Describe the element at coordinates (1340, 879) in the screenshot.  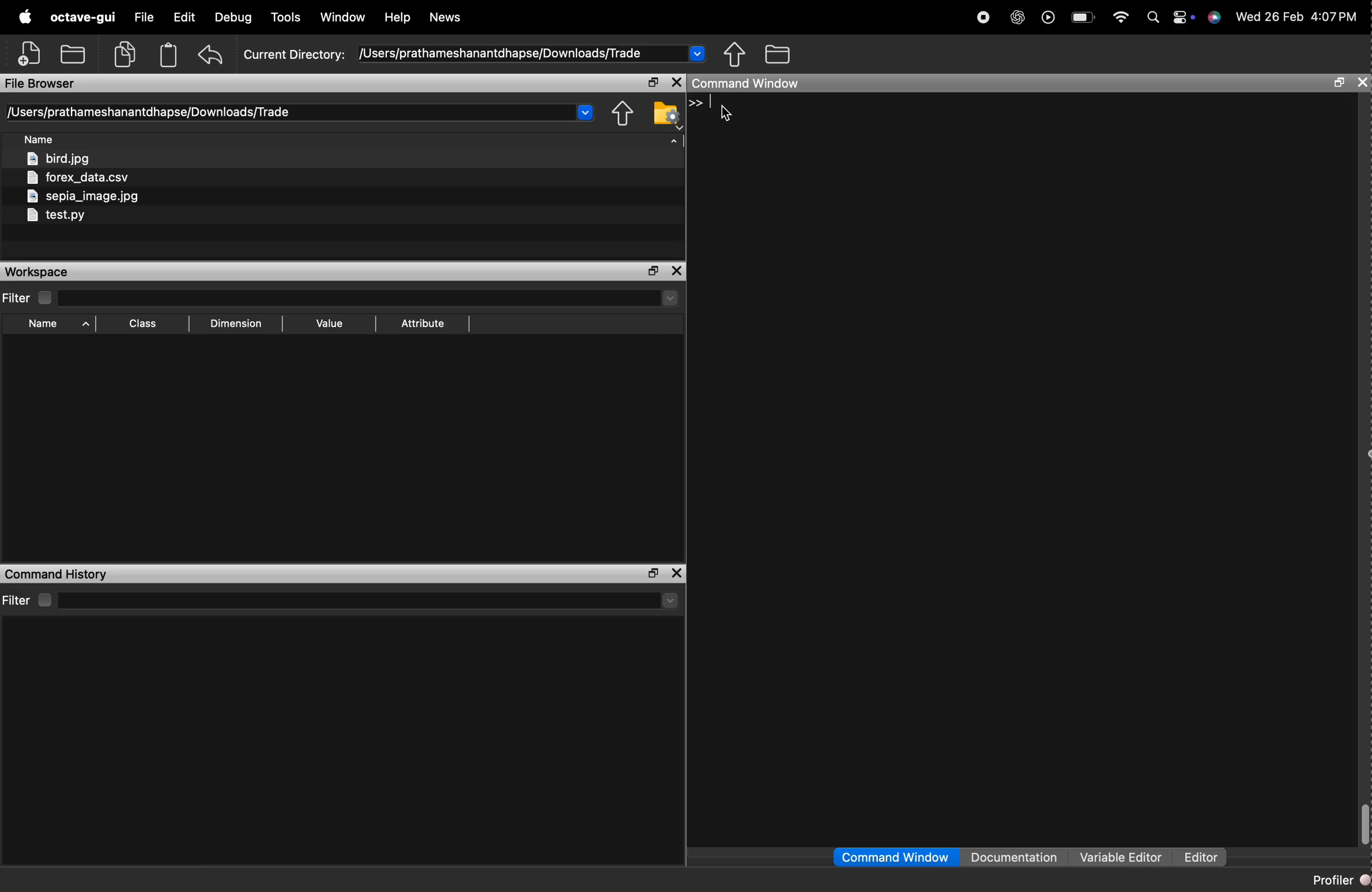
I see `Profiler @` at that location.